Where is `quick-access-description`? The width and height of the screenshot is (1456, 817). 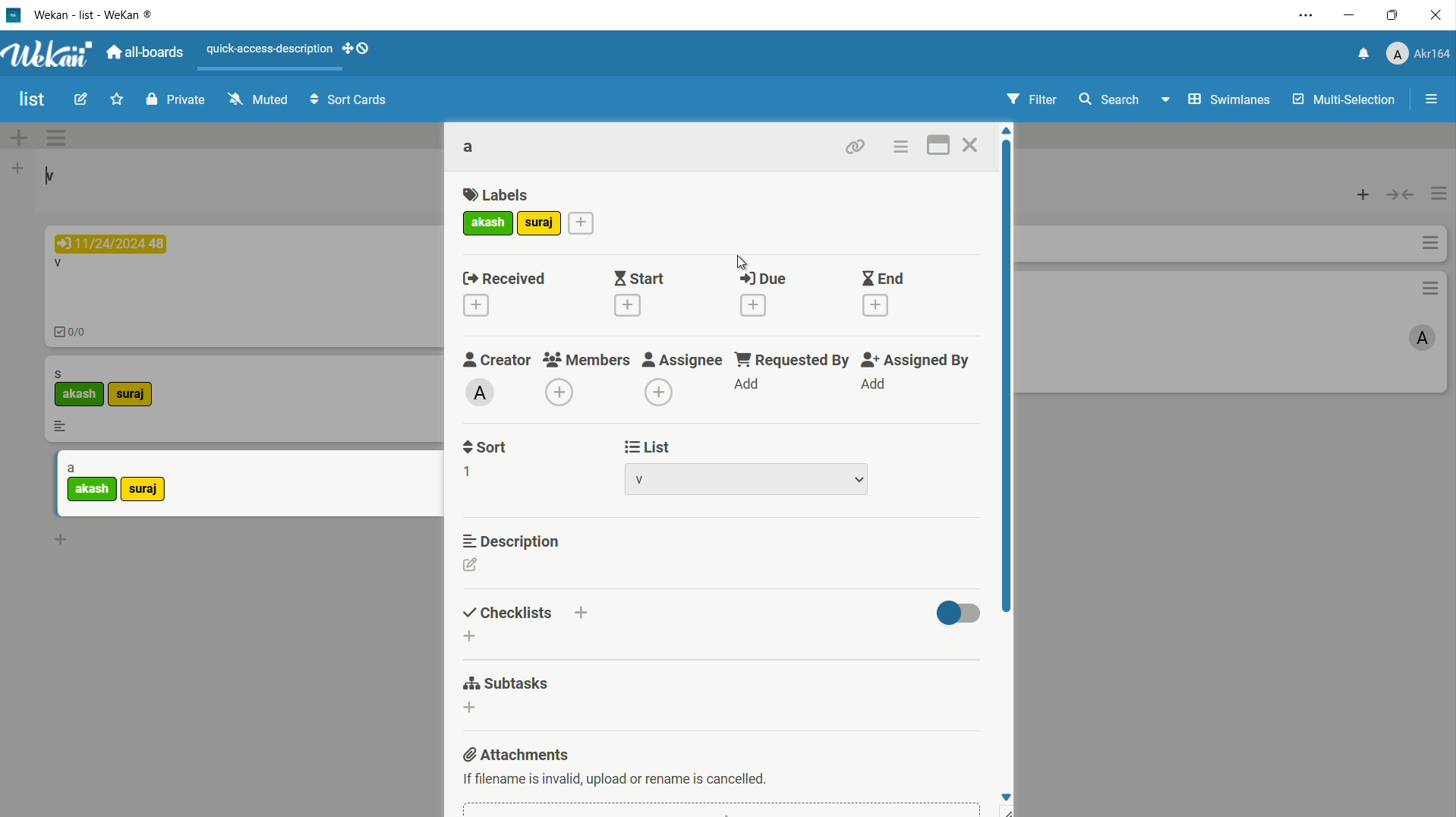
quick-access-description is located at coordinates (271, 50).